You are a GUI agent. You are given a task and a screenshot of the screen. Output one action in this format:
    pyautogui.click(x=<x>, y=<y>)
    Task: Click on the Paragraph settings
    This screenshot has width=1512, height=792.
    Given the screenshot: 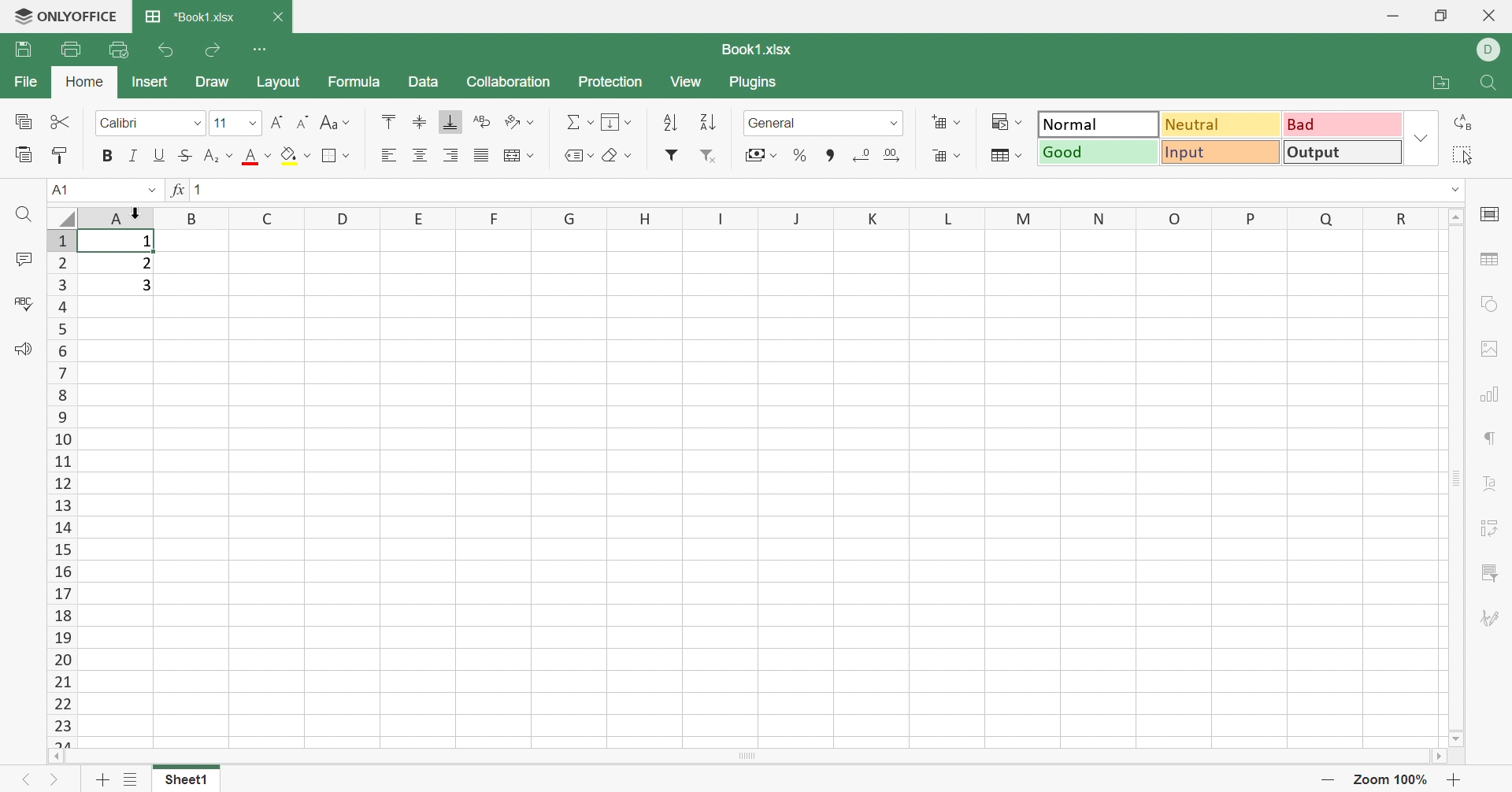 What is the action you would take?
    pyautogui.click(x=1491, y=440)
    